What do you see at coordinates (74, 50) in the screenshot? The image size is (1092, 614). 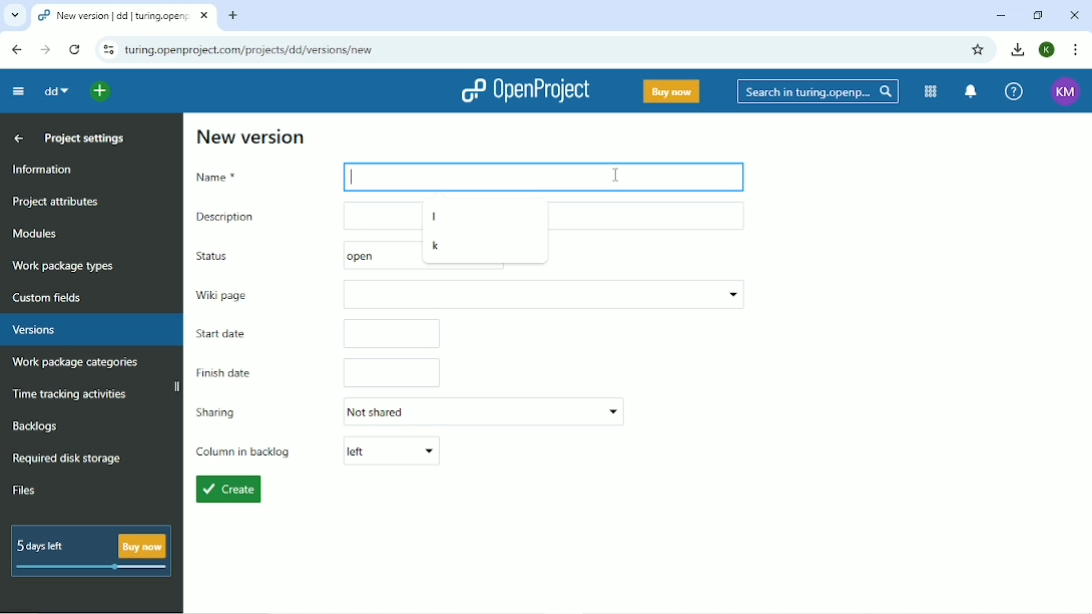 I see `Reload this page` at bounding box center [74, 50].